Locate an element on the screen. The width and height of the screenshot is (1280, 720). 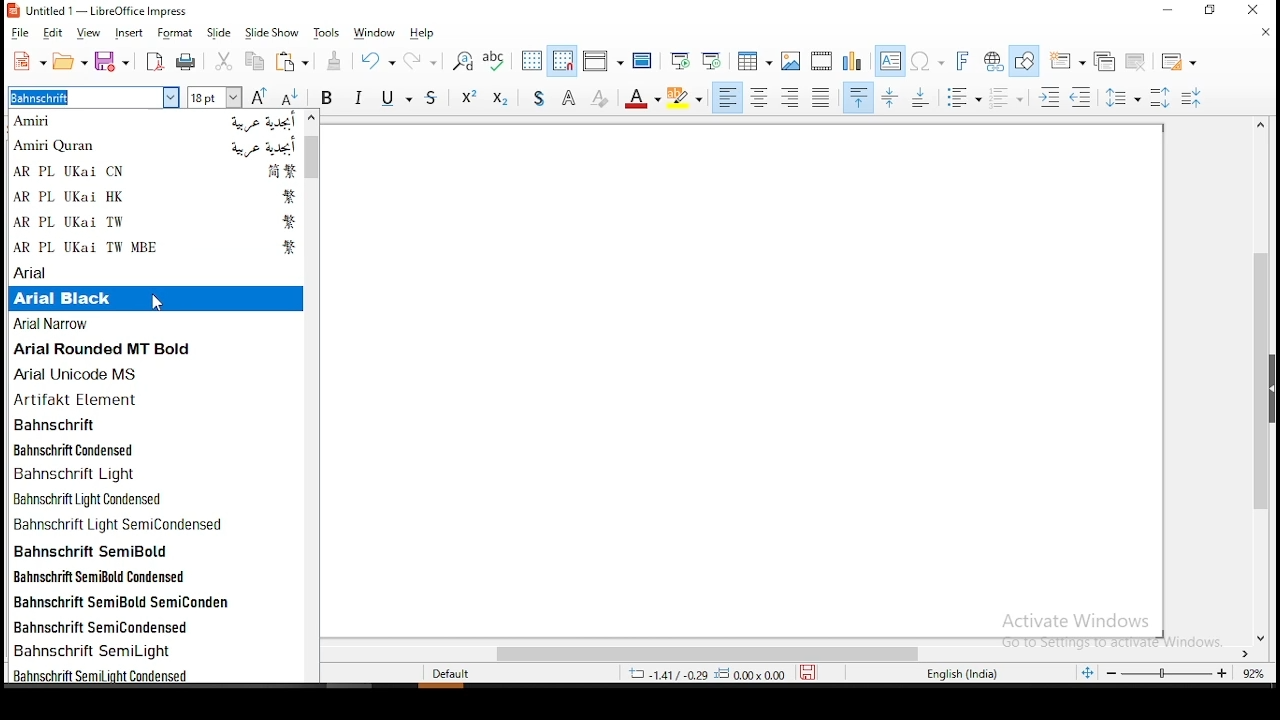
icrease paragraph spacing is located at coordinates (1159, 97).